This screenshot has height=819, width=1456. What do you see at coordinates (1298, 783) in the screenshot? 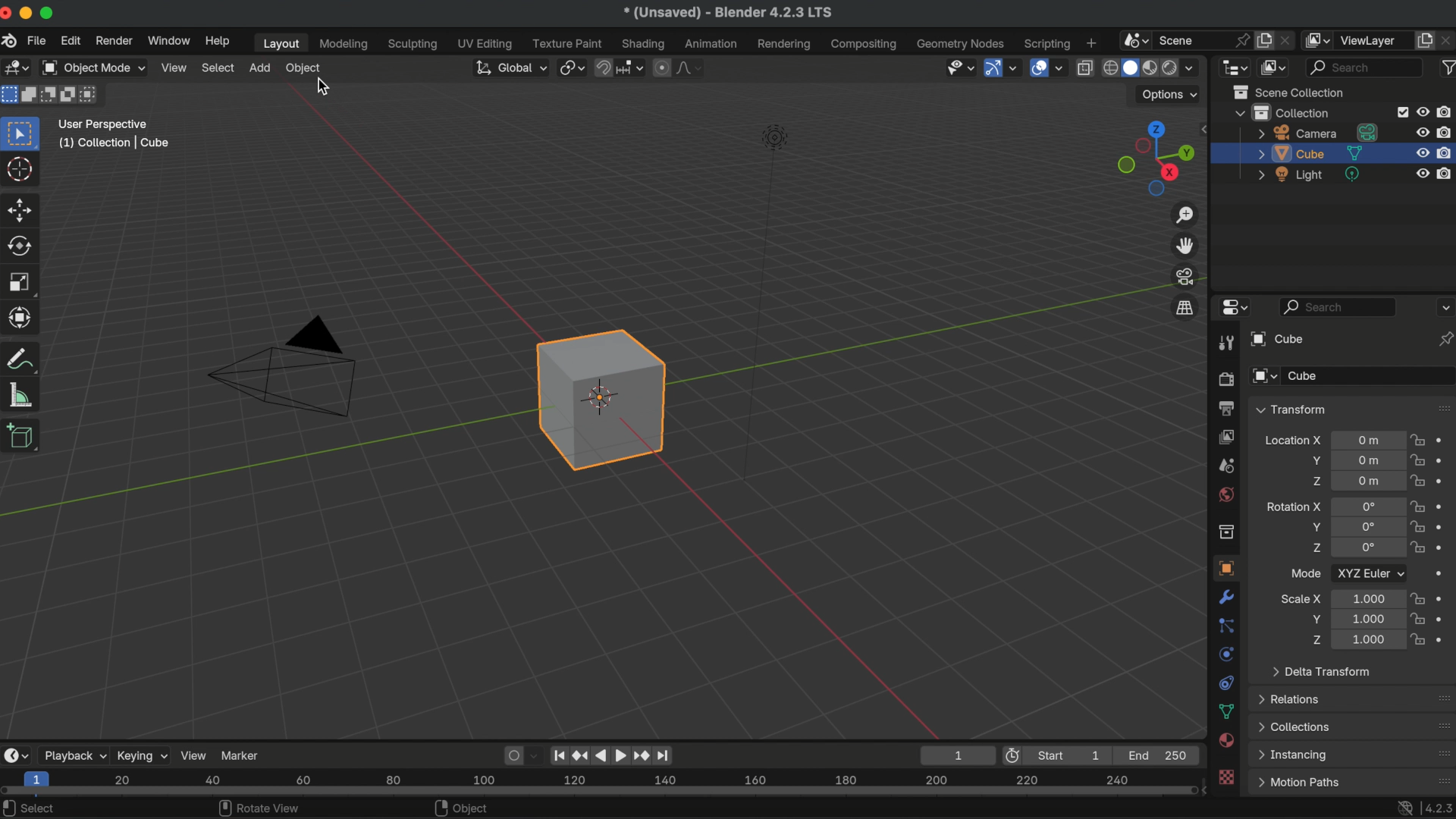
I see `` at bounding box center [1298, 783].